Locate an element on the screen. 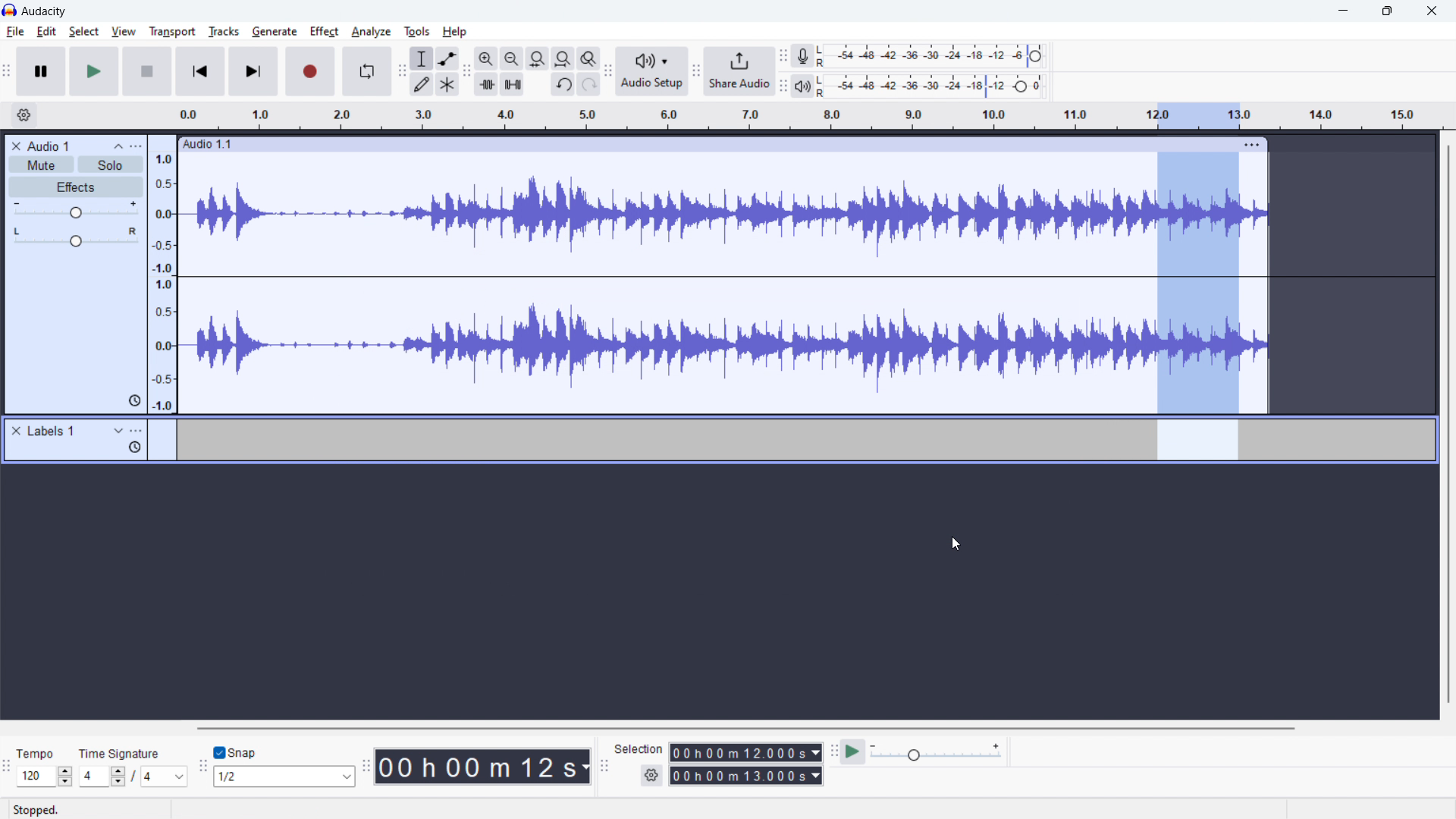 Image resolution: width=1456 pixels, height=819 pixels. timeline settings is located at coordinates (24, 116).